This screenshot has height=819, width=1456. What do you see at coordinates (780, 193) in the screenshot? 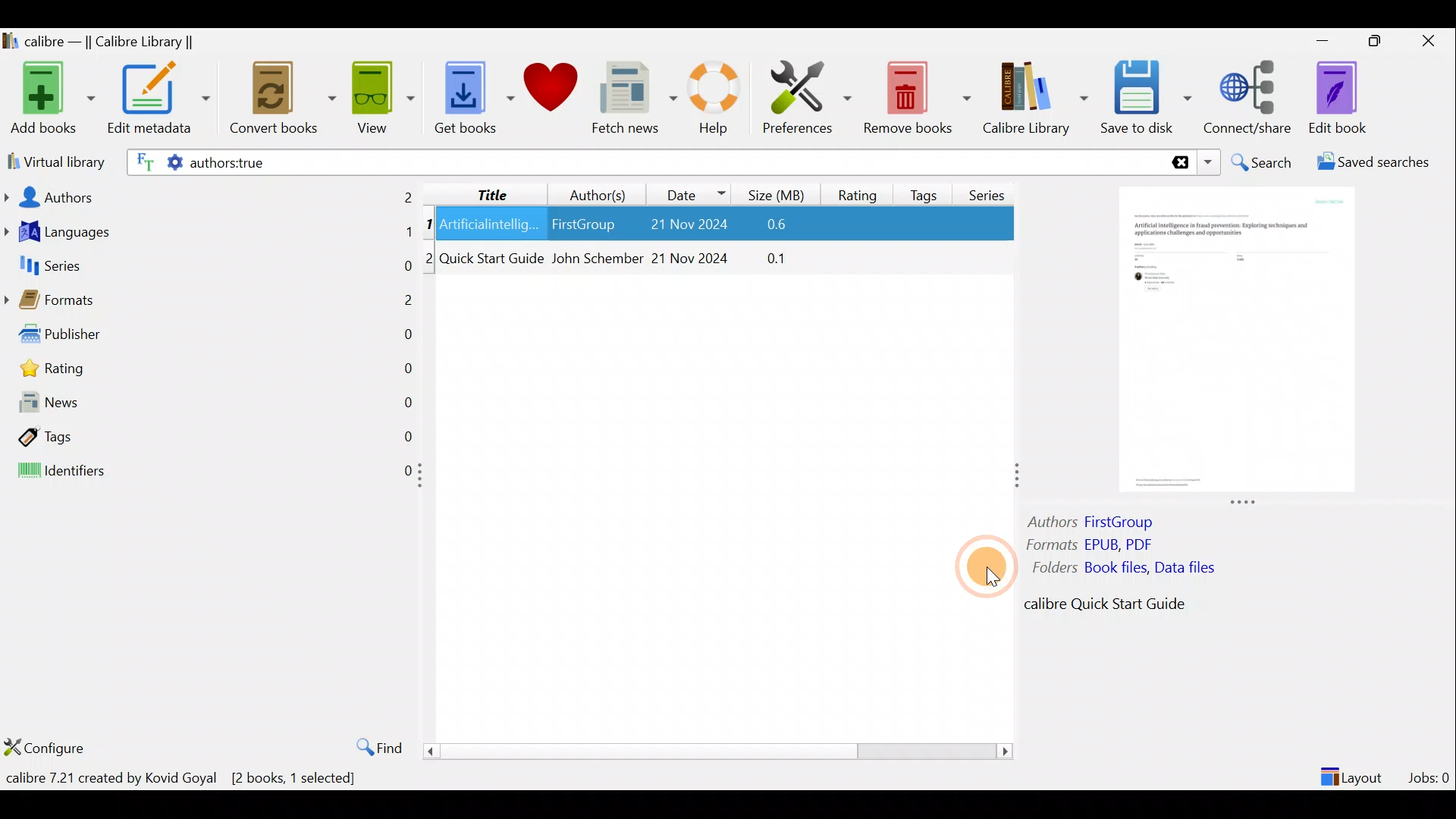
I see `Size` at bounding box center [780, 193].